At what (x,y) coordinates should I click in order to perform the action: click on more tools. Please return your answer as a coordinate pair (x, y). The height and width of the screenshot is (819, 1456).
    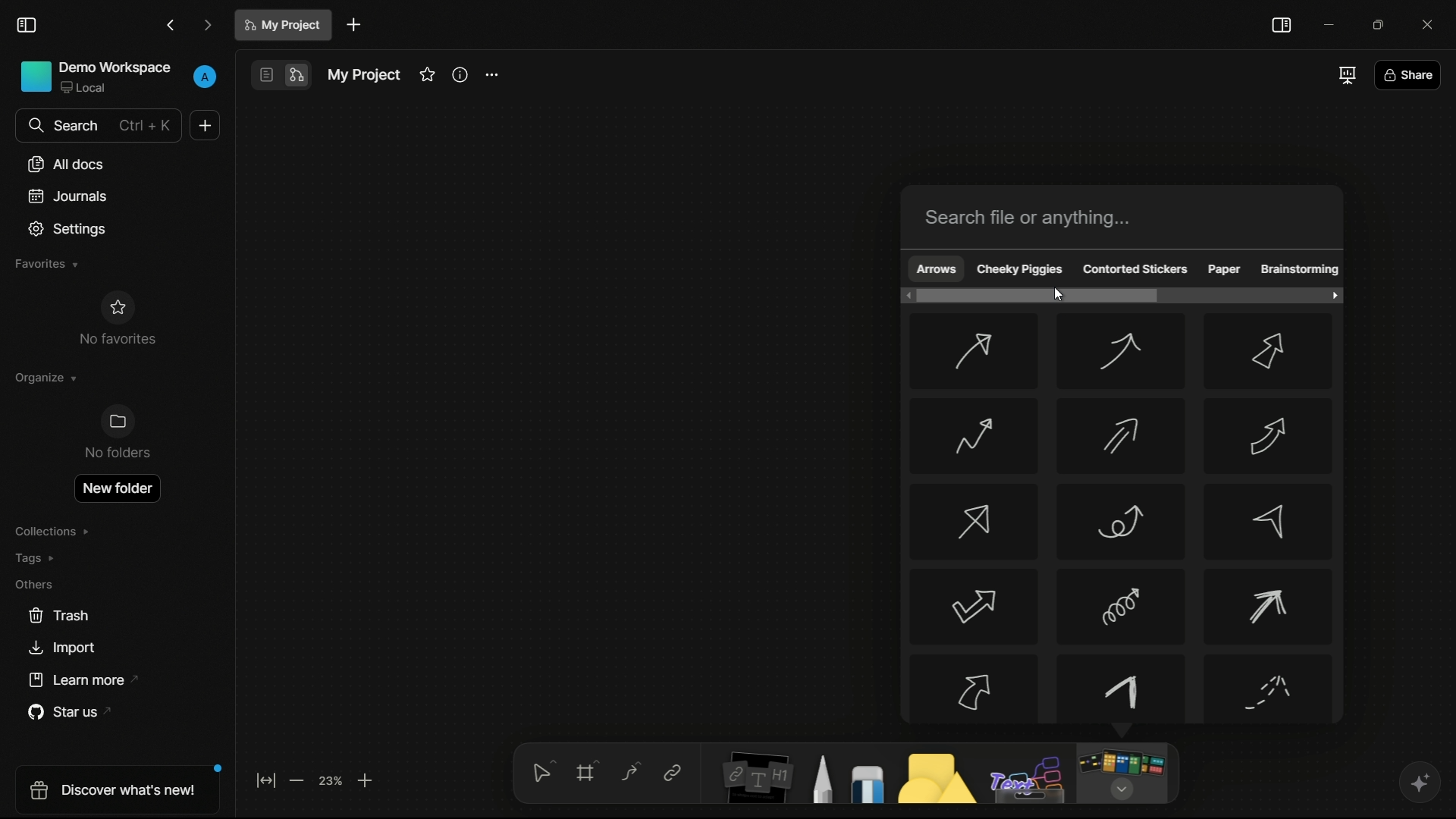
    Looking at the image, I should click on (1121, 774).